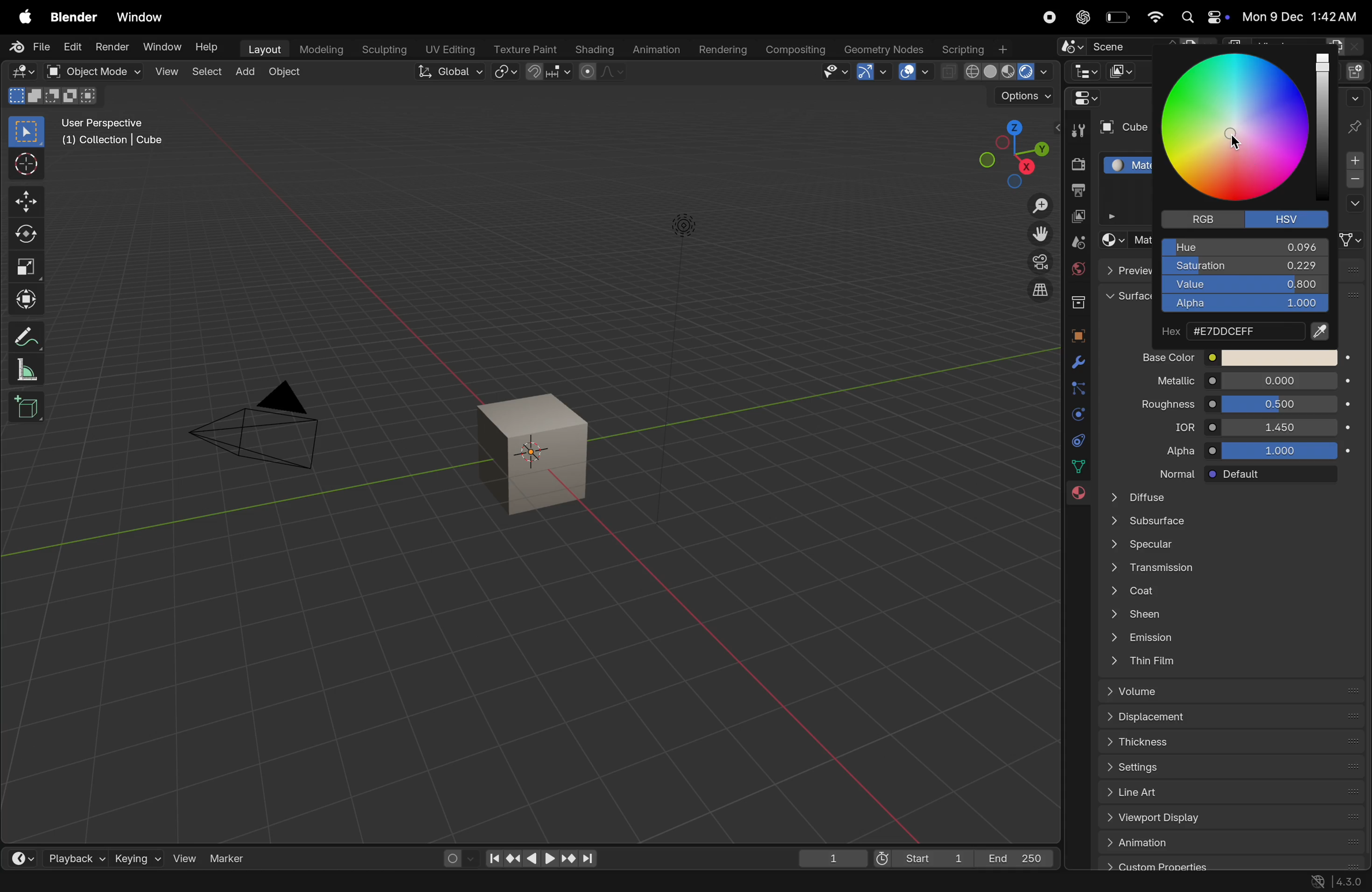 This screenshot has height=892, width=1372. I want to click on sculpting, so click(383, 50).